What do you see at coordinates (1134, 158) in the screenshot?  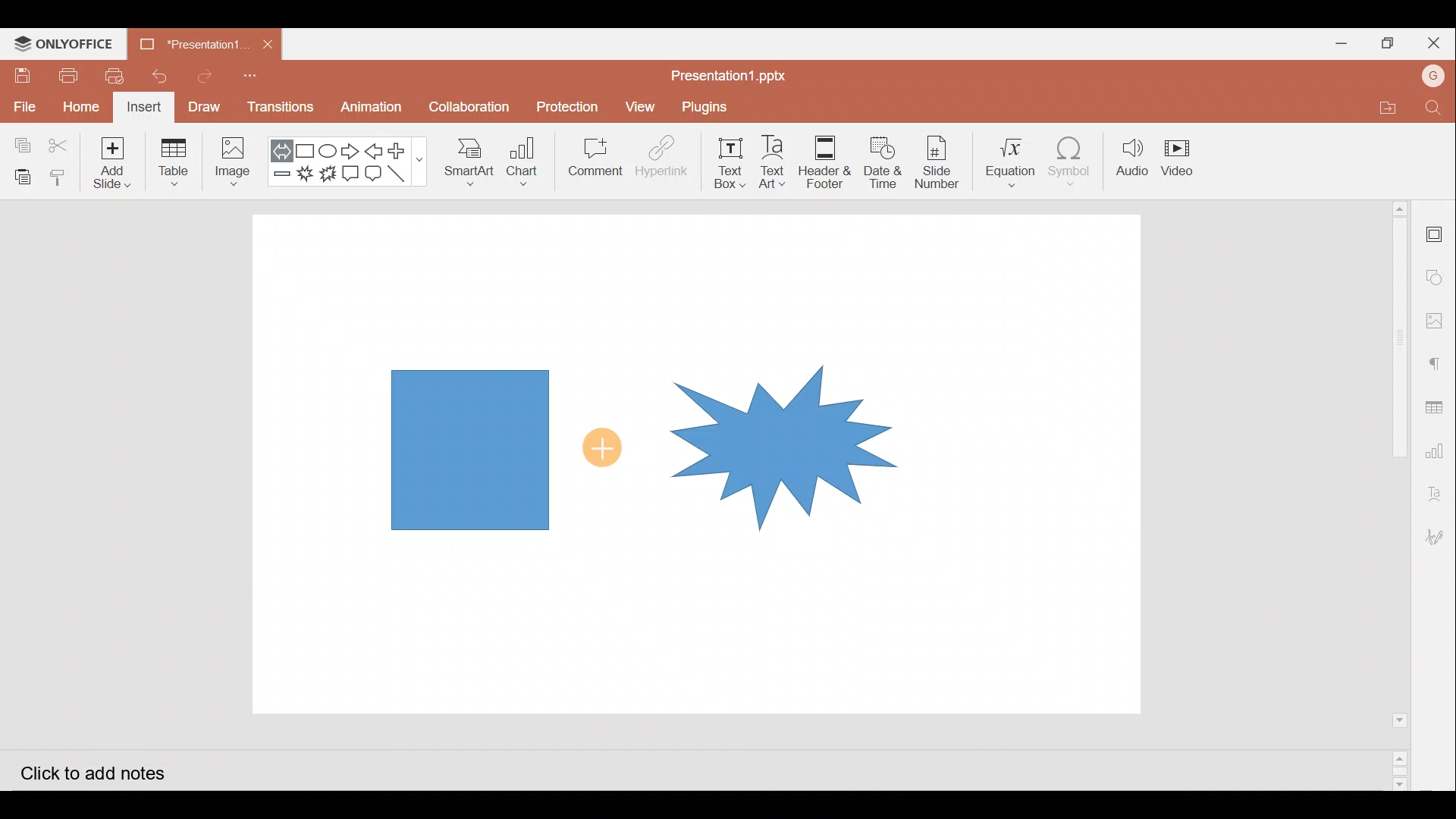 I see `Audio` at bounding box center [1134, 158].